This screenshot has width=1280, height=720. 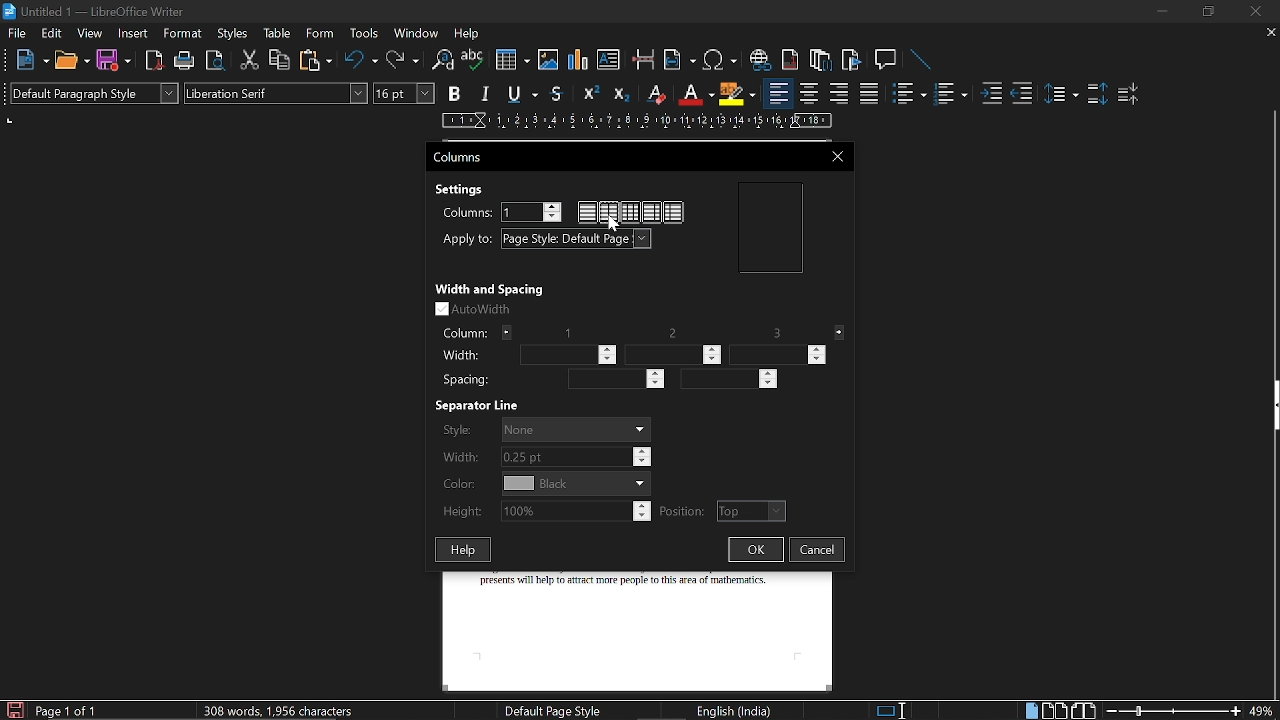 What do you see at coordinates (654, 94) in the screenshot?
I see `Eraser` at bounding box center [654, 94].